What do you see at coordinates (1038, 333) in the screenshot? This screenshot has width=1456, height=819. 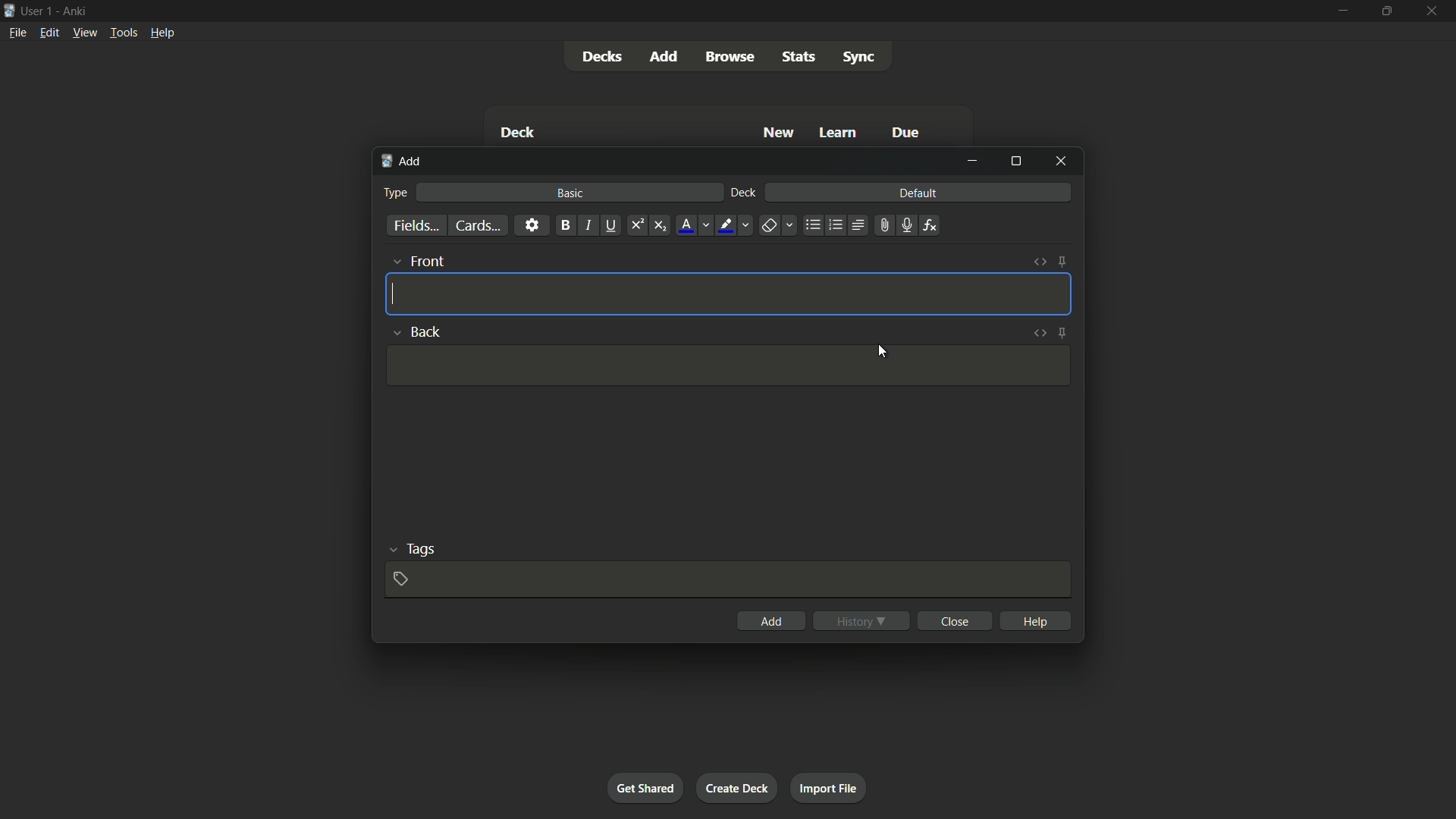 I see `toggle html editor` at bounding box center [1038, 333].